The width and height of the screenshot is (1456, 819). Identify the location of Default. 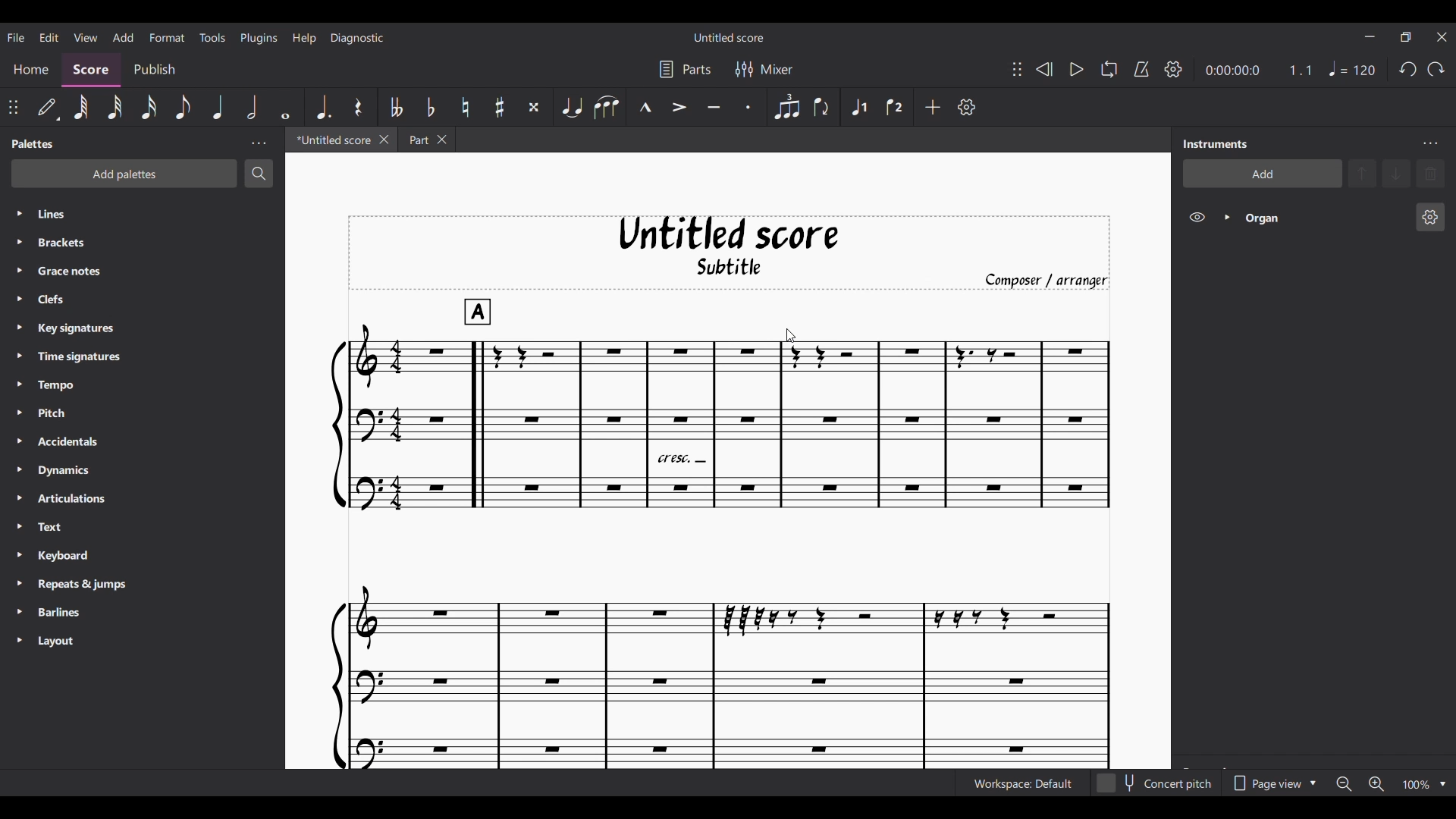
(47, 106).